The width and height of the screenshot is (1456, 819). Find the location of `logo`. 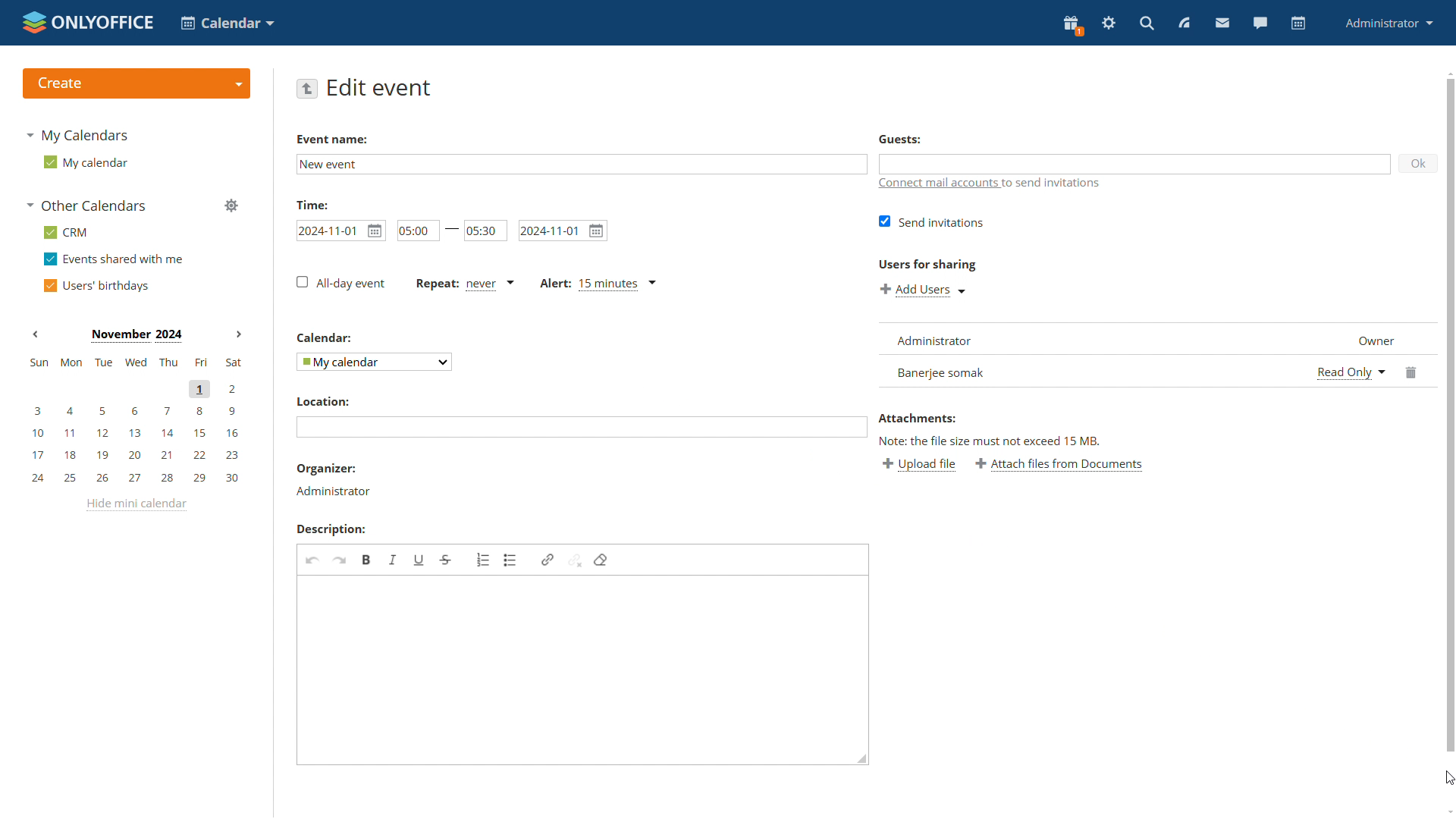

logo is located at coordinates (89, 23).